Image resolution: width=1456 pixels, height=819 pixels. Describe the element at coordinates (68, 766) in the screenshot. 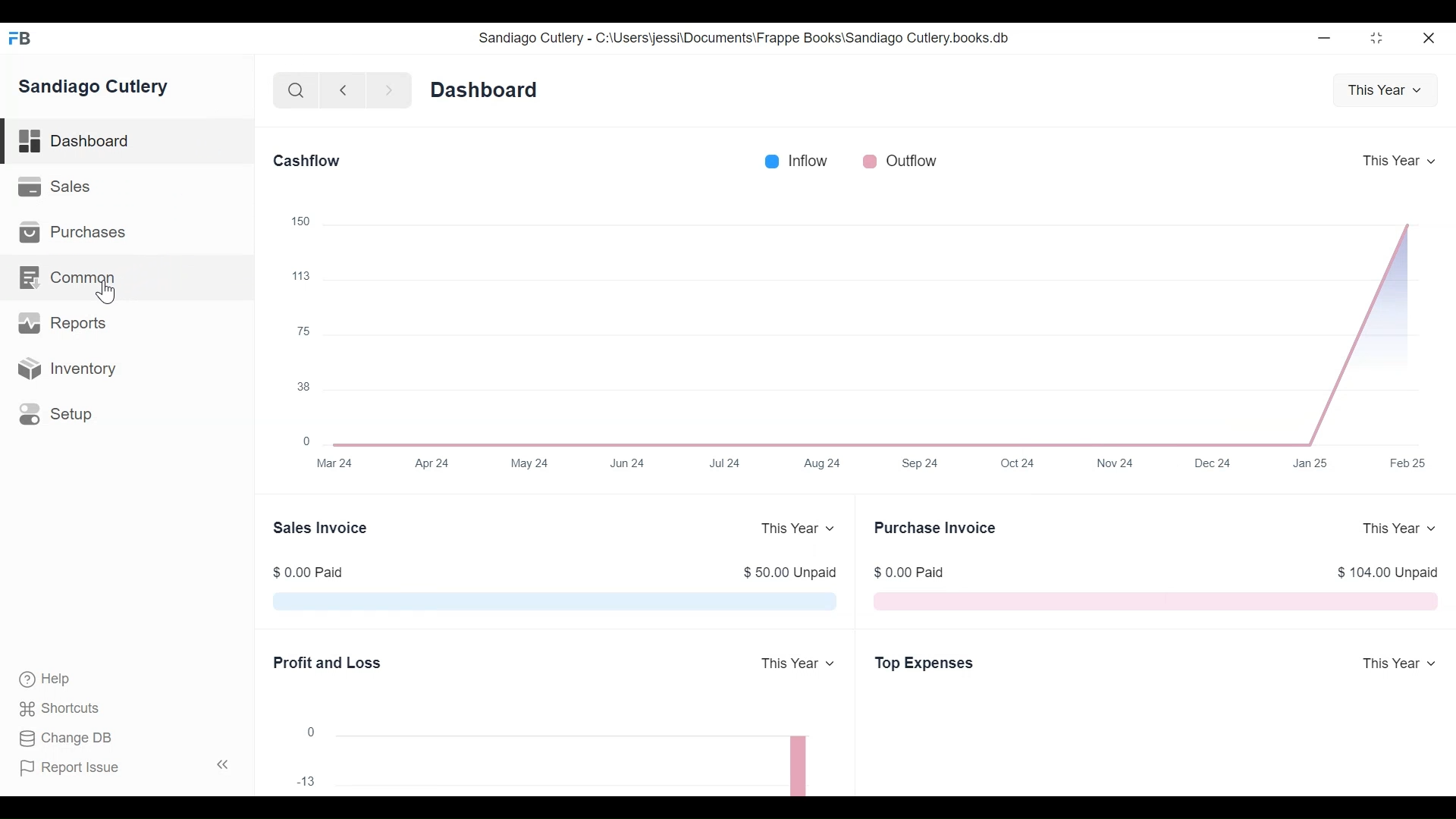

I see `Report Issue` at that location.